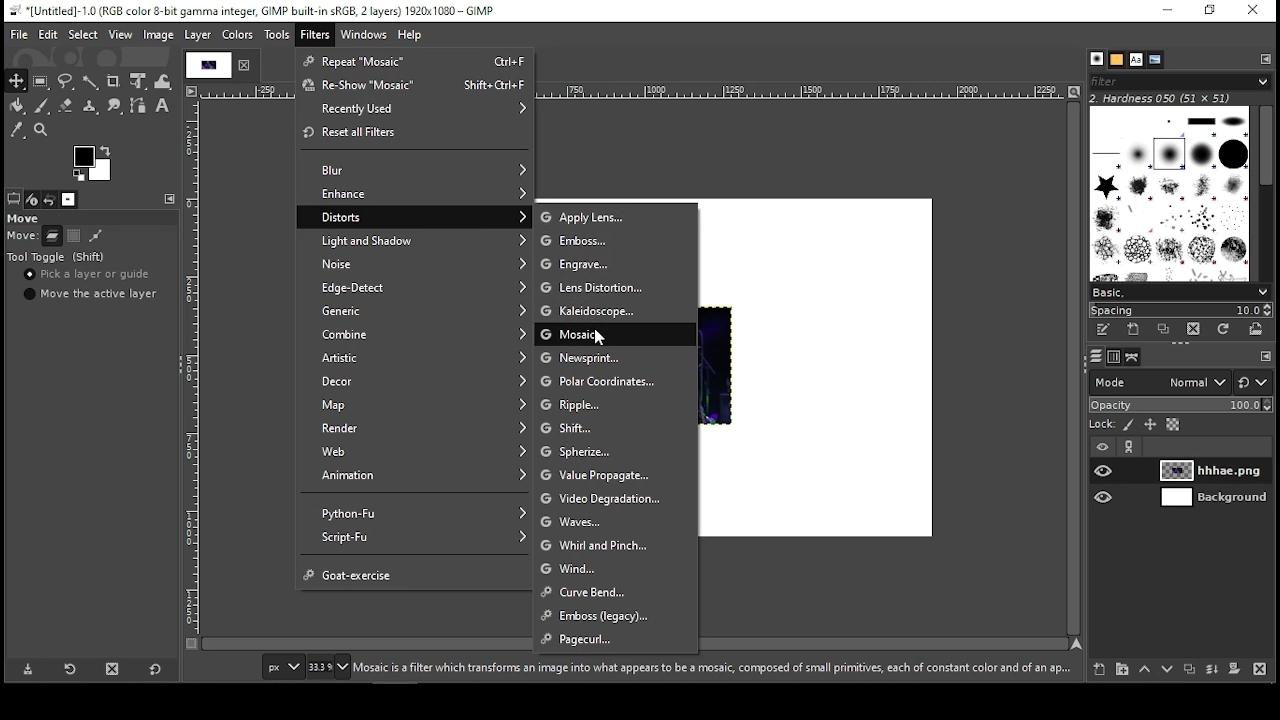  I want to click on warp transform tool, so click(165, 81).